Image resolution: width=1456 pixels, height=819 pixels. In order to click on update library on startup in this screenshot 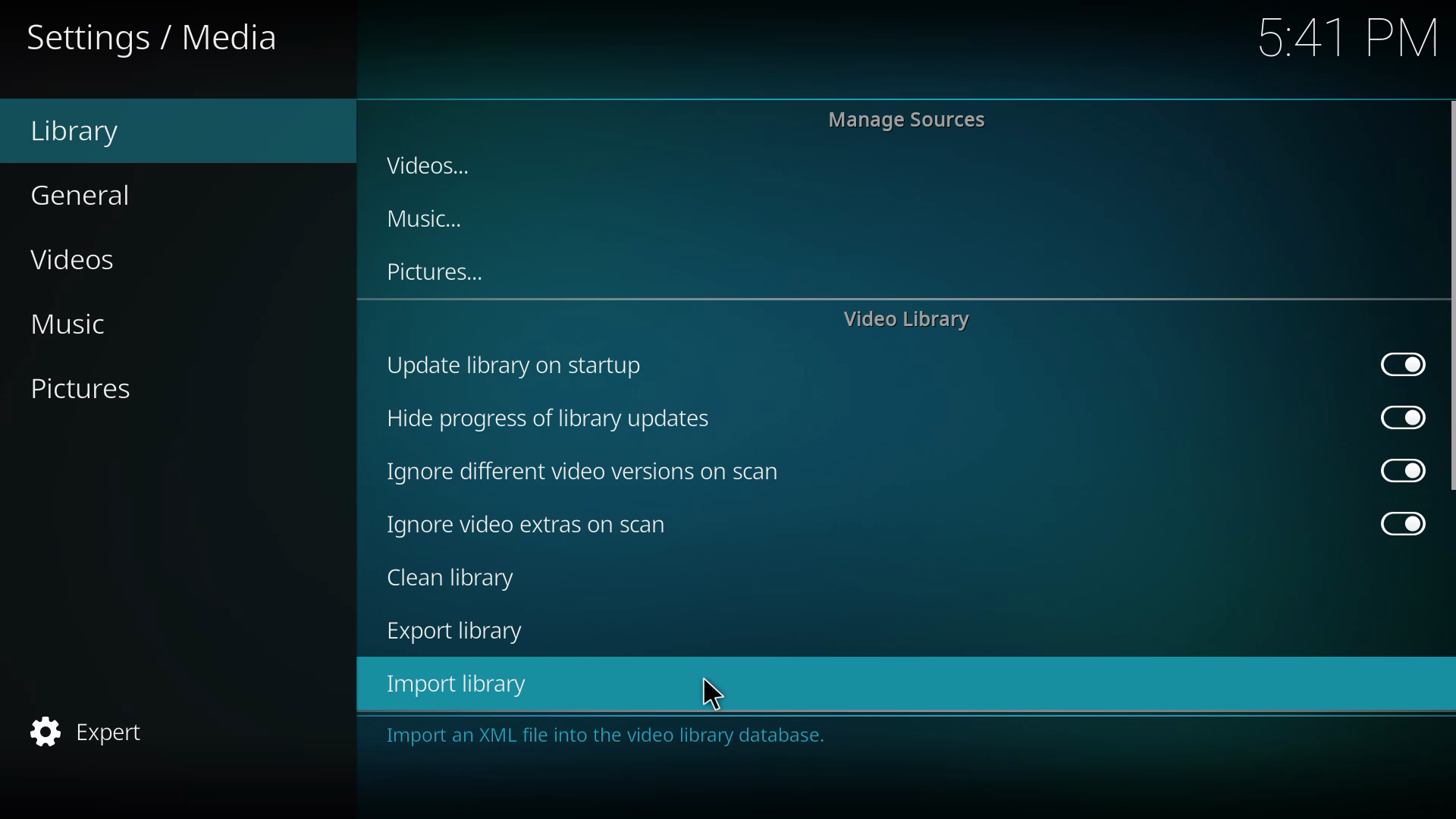, I will do `click(898, 366)`.